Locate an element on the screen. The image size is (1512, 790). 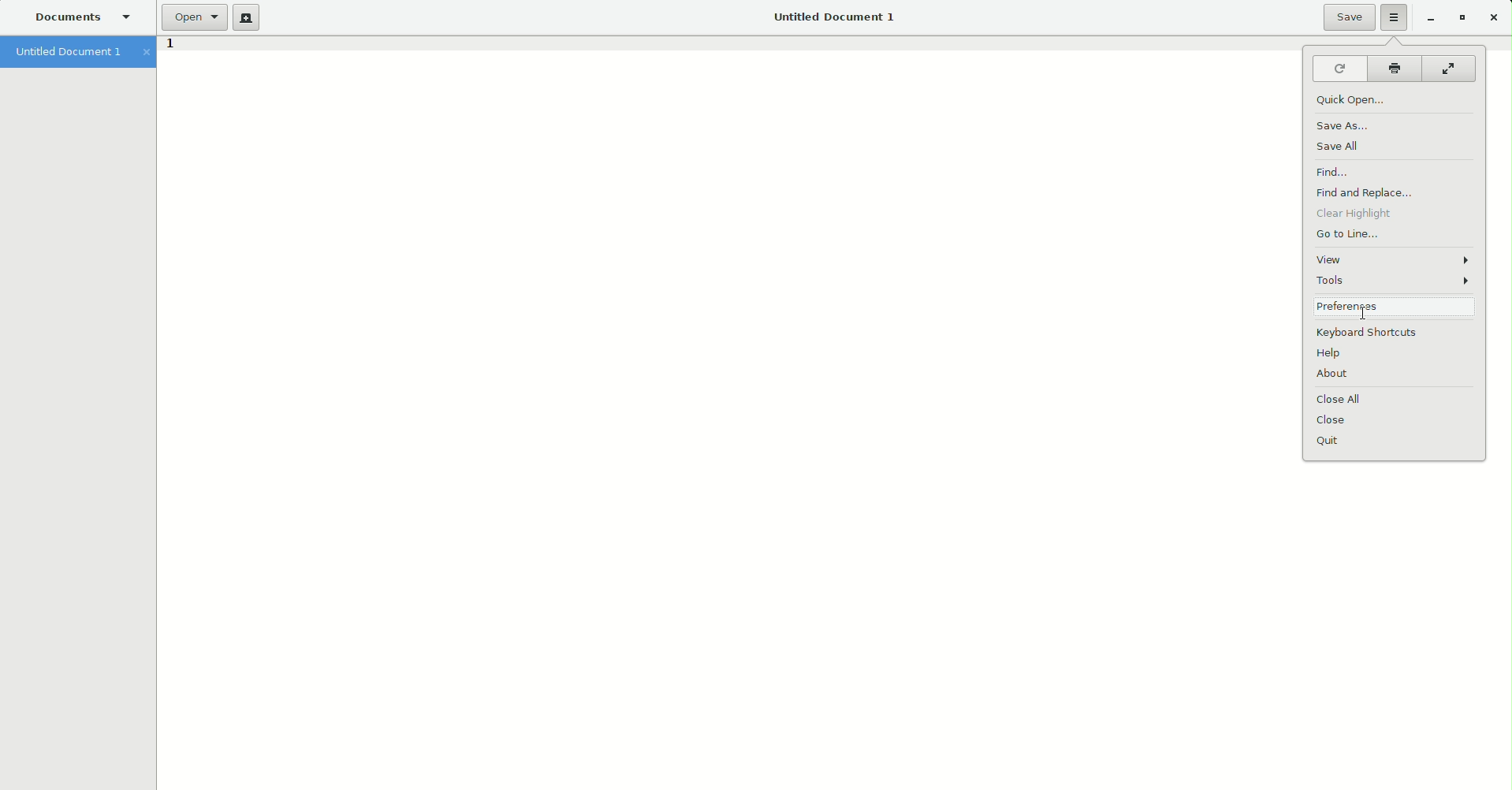
cursor is located at coordinates (1365, 314).